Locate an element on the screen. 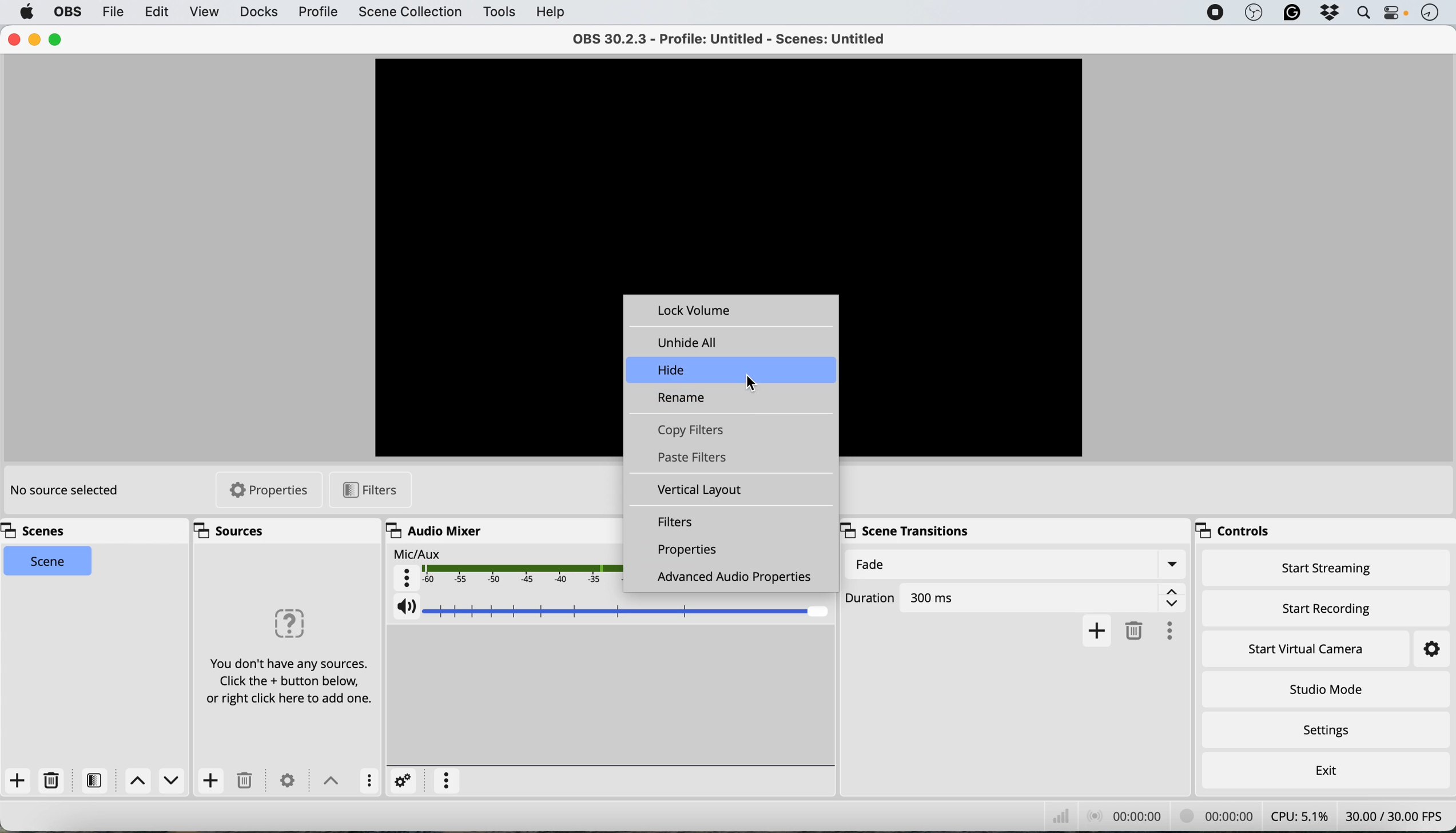 The height and width of the screenshot is (833, 1456). start streaming is located at coordinates (1324, 569).